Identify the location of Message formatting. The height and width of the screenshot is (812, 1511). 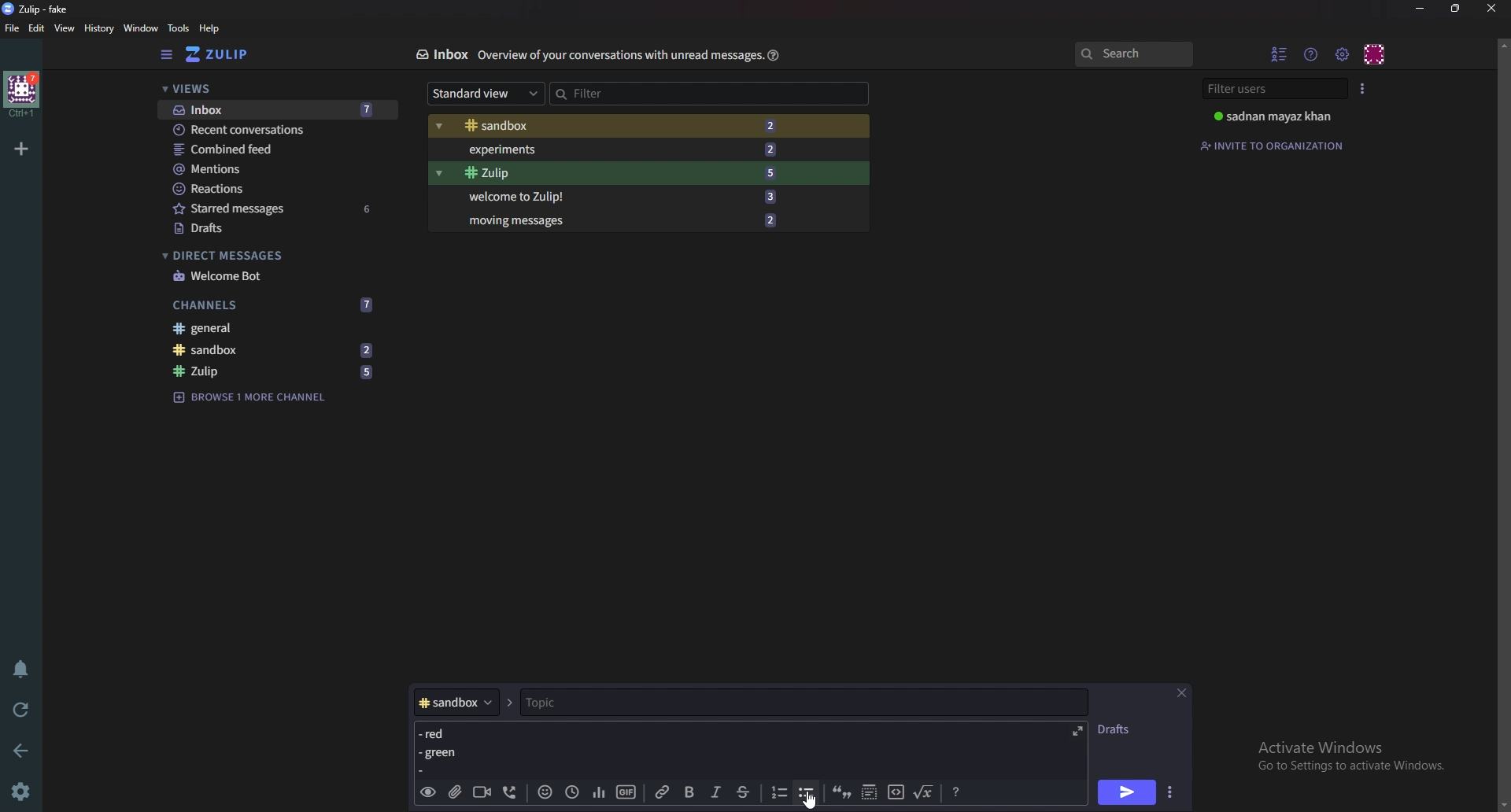
(959, 790).